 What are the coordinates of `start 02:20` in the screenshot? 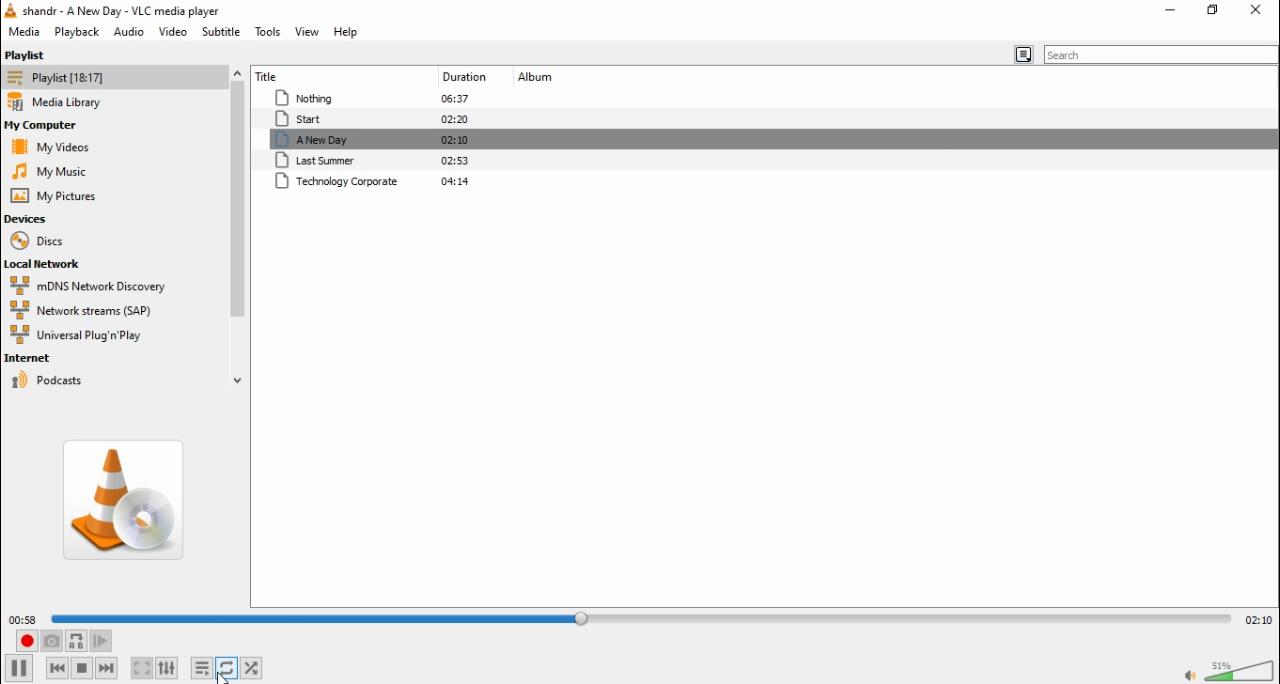 It's located at (372, 119).